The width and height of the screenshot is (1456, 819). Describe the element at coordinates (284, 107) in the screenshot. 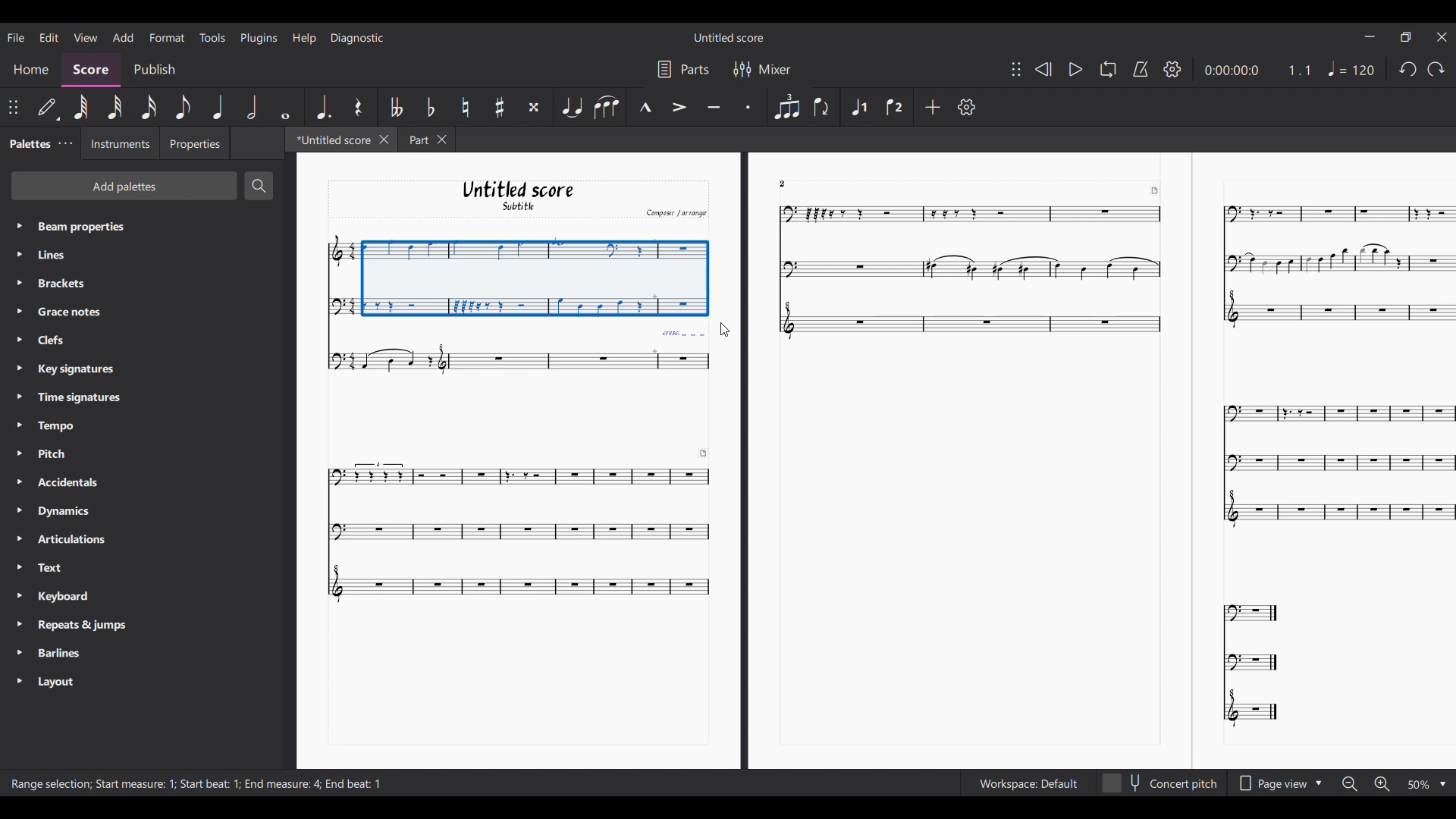

I see `Whole note` at that location.